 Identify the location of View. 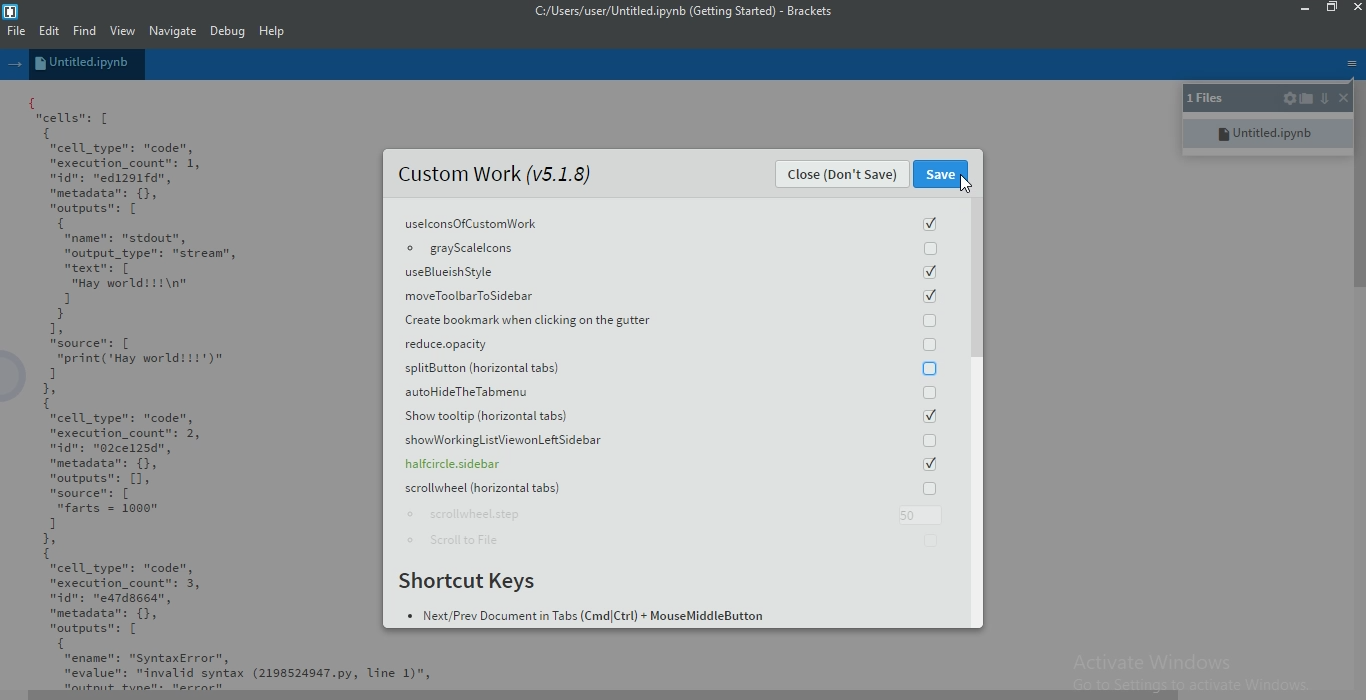
(124, 30).